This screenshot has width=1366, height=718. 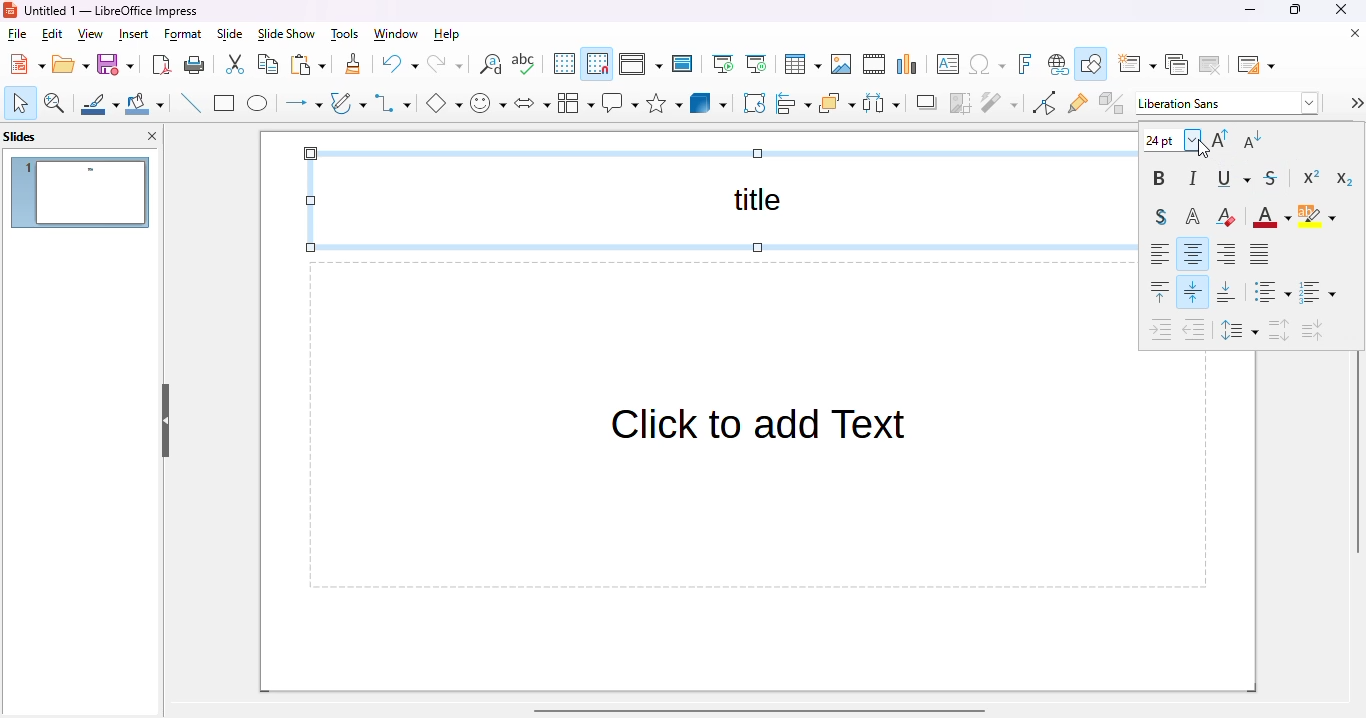 I want to click on decrease font size, so click(x=1252, y=139).